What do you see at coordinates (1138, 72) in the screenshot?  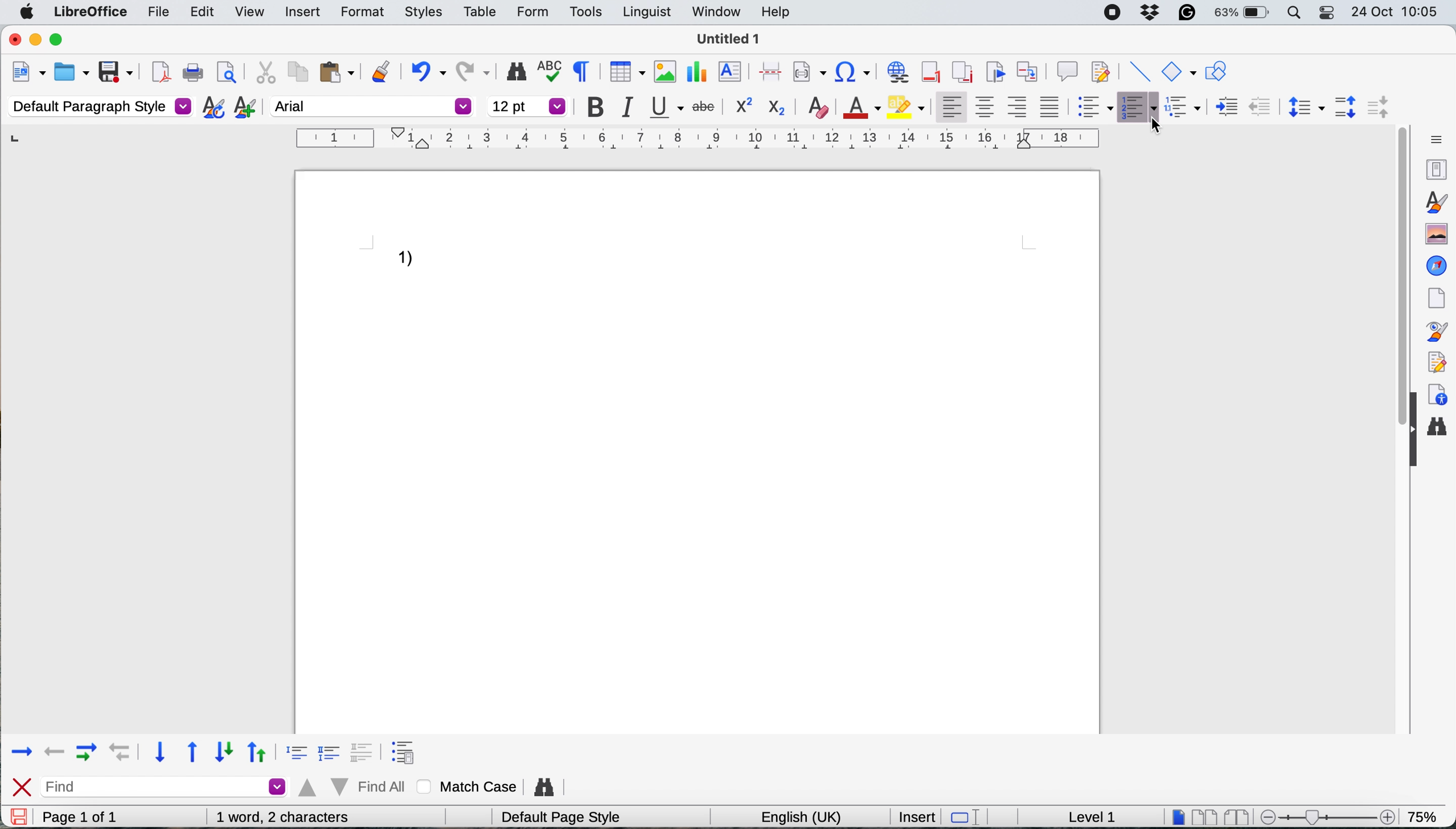 I see `insert line` at bounding box center [1138, 72].